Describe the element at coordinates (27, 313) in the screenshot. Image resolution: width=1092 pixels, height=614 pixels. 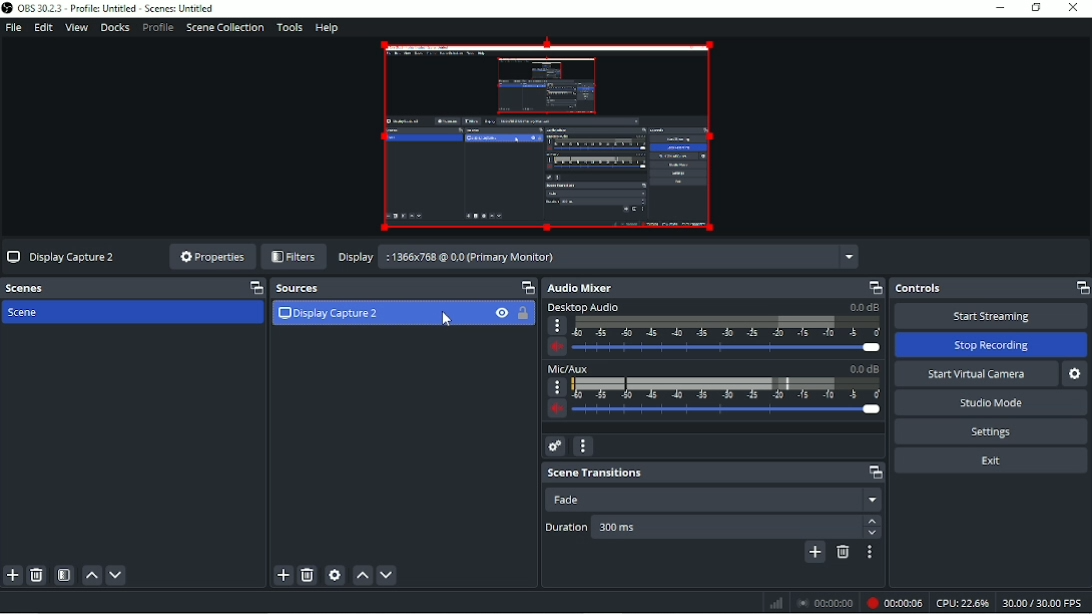
I see `Scene` at that location.